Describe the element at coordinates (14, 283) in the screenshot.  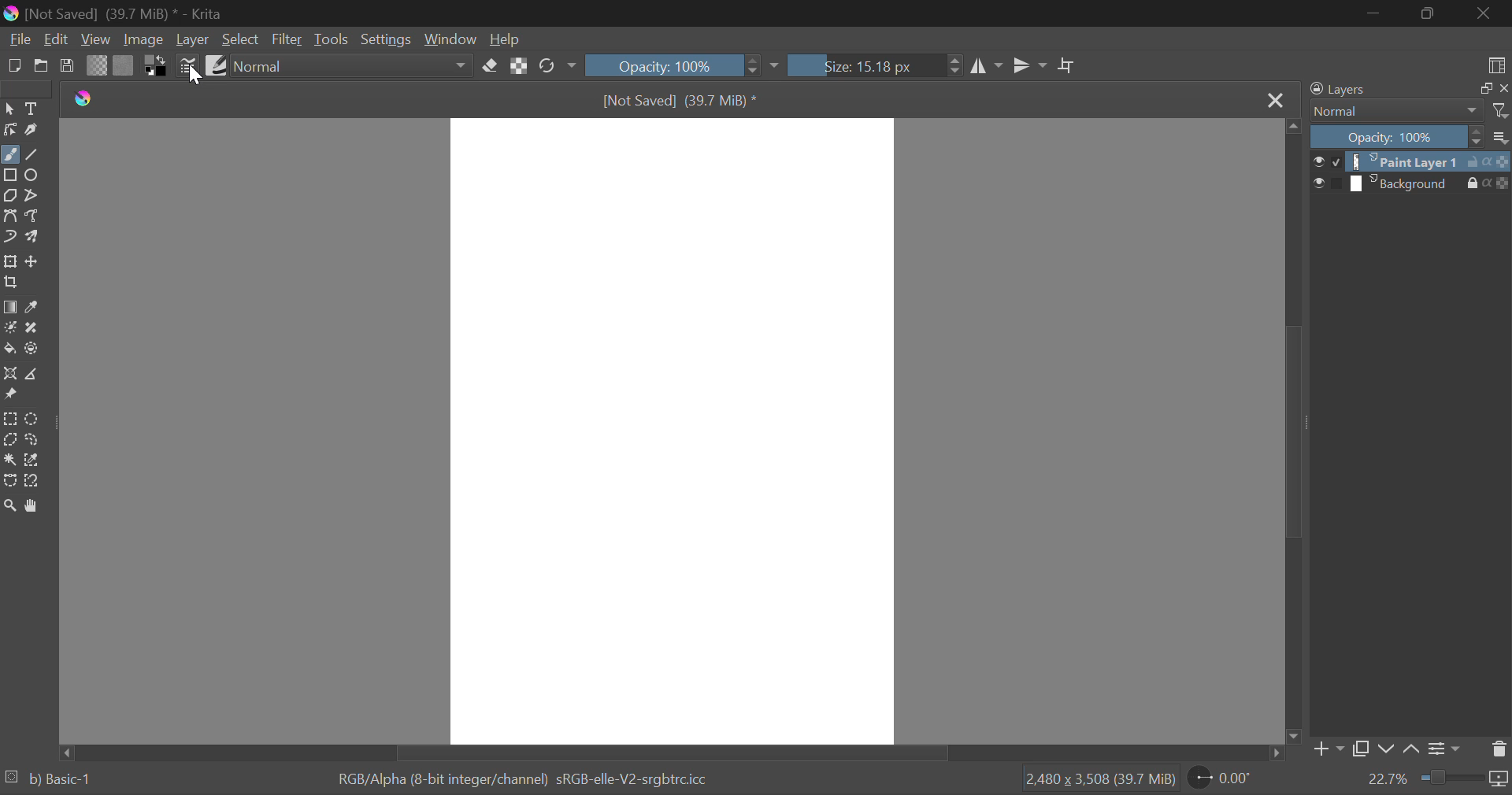
I see `Crop Layer` at that location.